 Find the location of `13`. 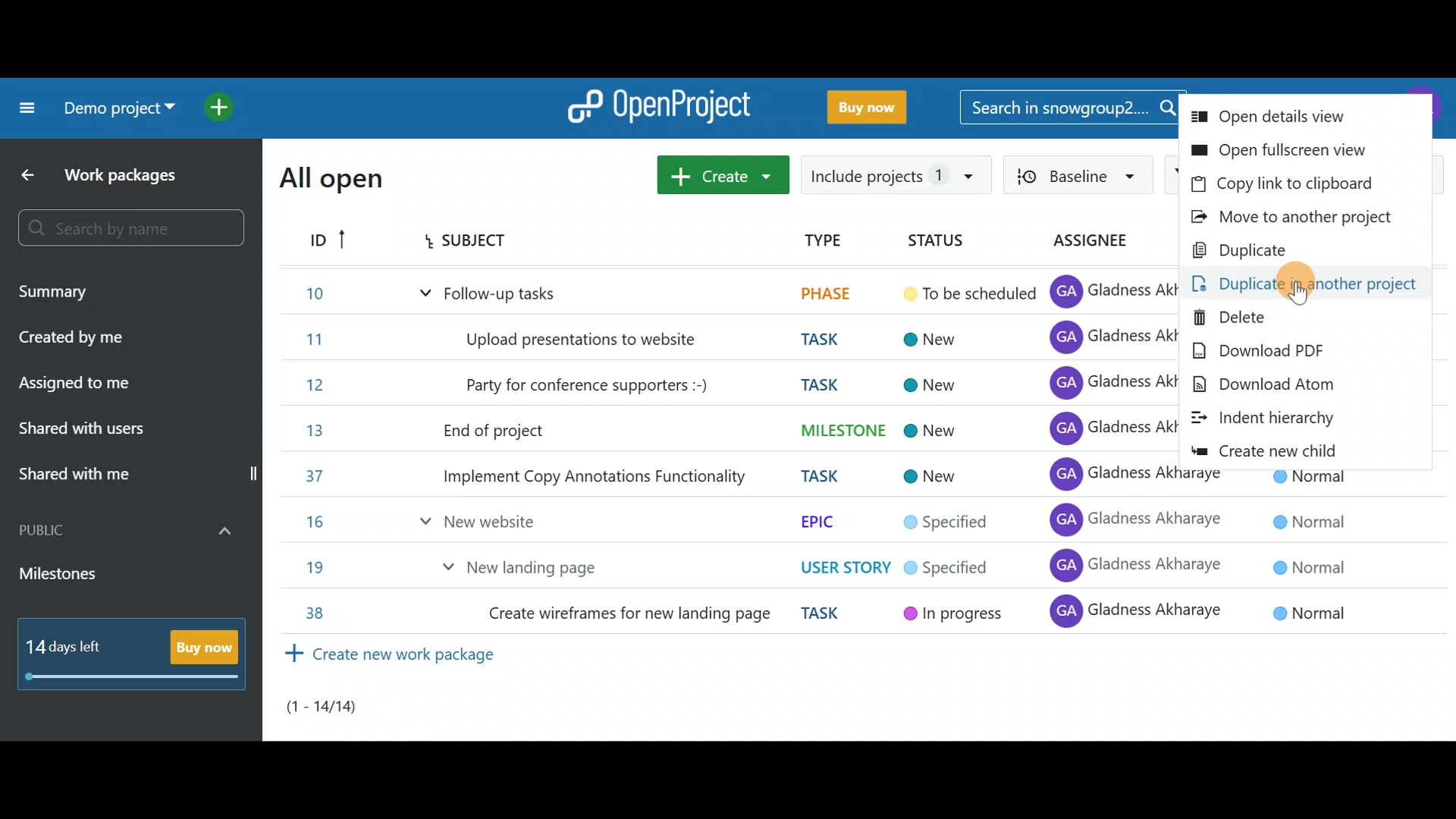

13 is located at coordinates (307, 431).